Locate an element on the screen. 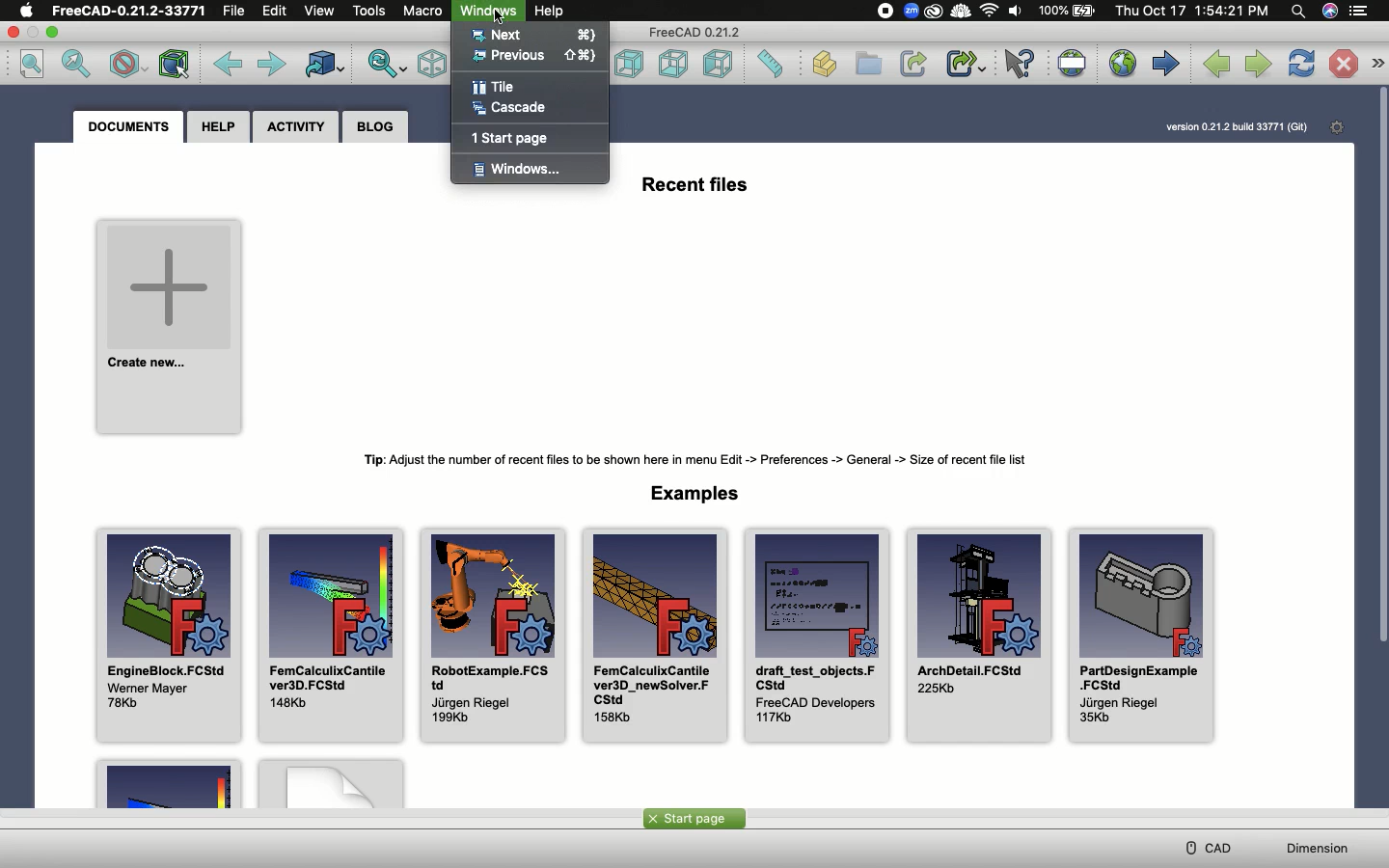 Image resolution: width=1389 pixels, height=868 pixels. Bounding box is located at coordinates (173, 66).